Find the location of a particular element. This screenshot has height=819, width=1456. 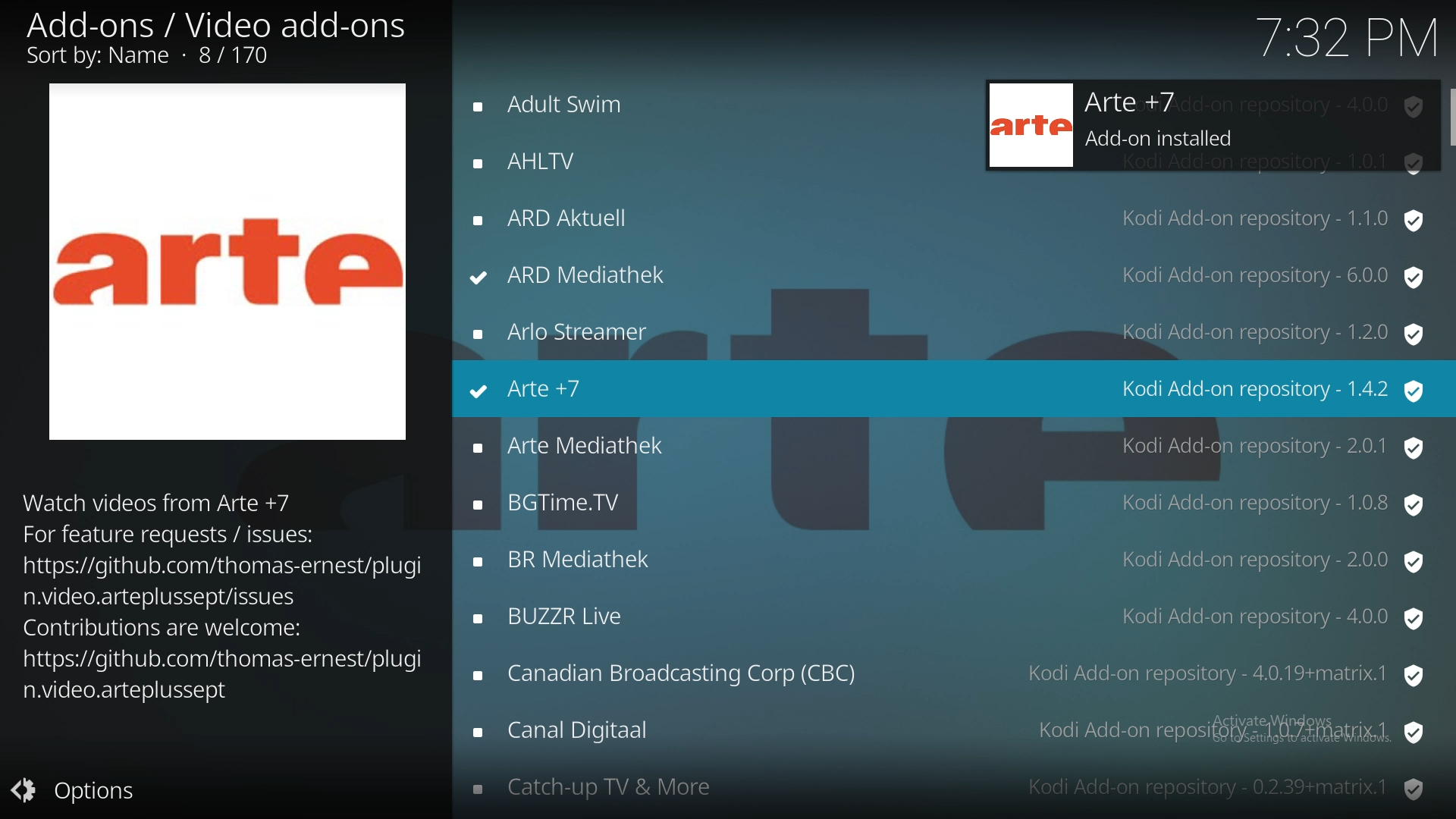

add on is located at coordinates (947, 274).